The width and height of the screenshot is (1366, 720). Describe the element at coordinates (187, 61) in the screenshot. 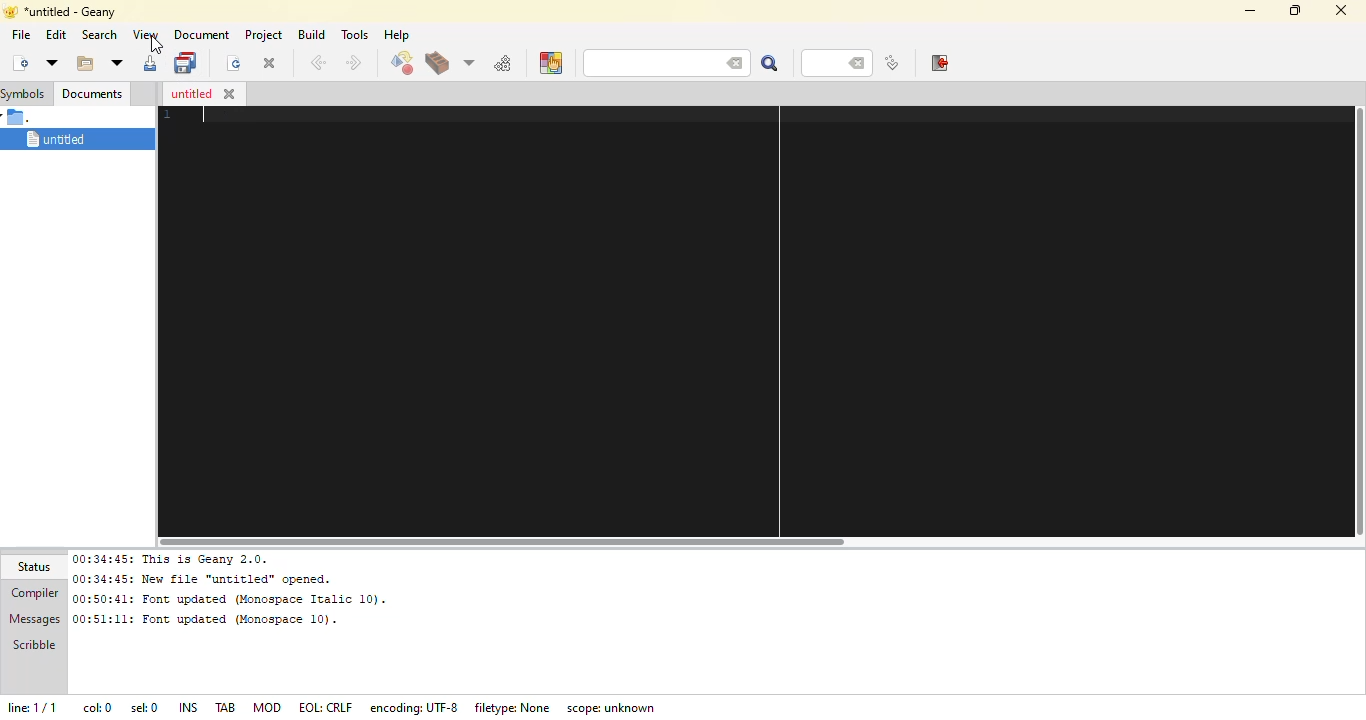

I see `save all` at that location.